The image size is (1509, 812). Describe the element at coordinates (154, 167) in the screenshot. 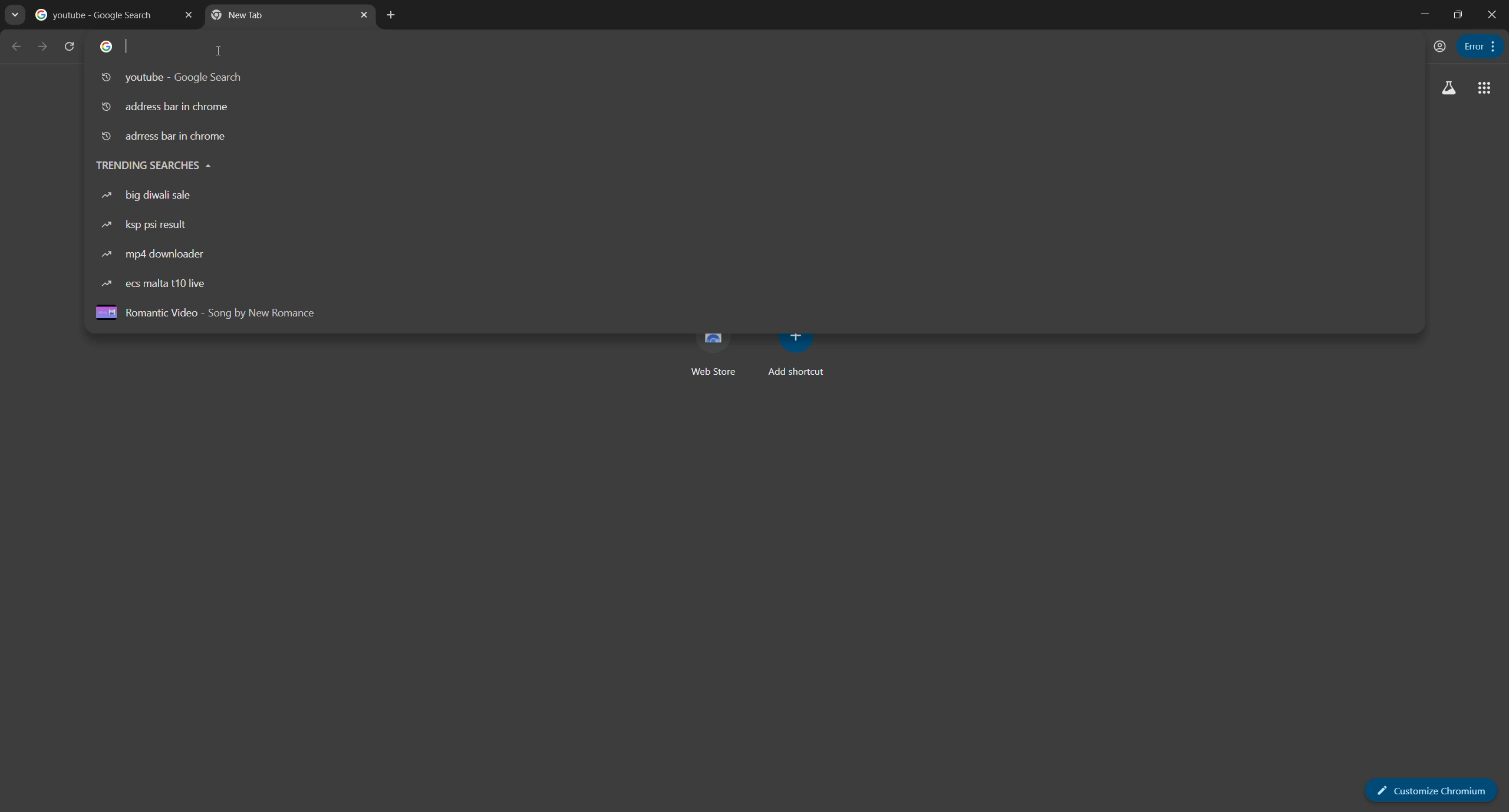

I see `trending searches` at that location.